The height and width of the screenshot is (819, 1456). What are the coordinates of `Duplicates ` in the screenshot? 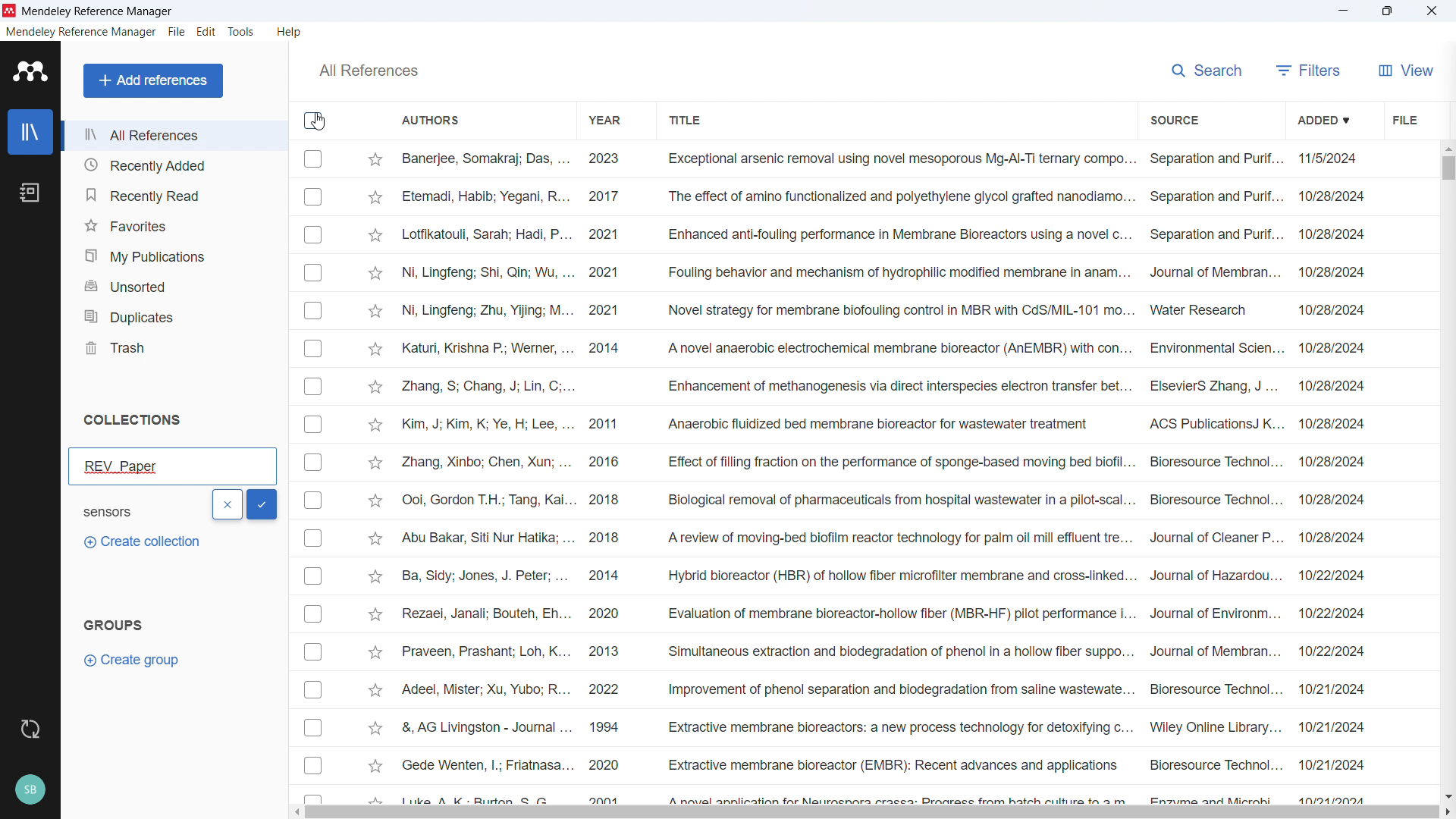 It's located at (173, 315).